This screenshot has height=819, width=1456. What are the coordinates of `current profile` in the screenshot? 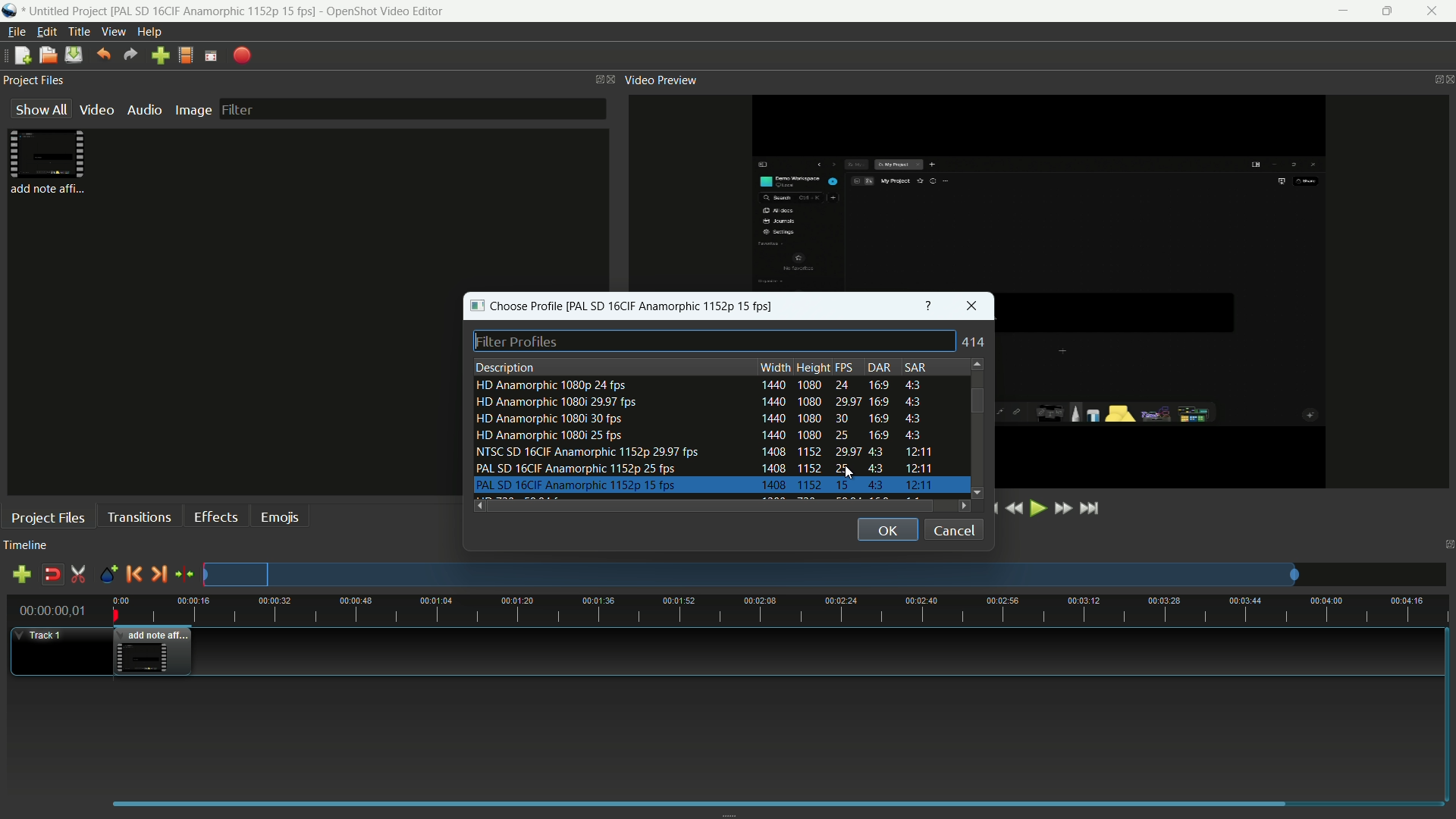 It's located at (674, 306).